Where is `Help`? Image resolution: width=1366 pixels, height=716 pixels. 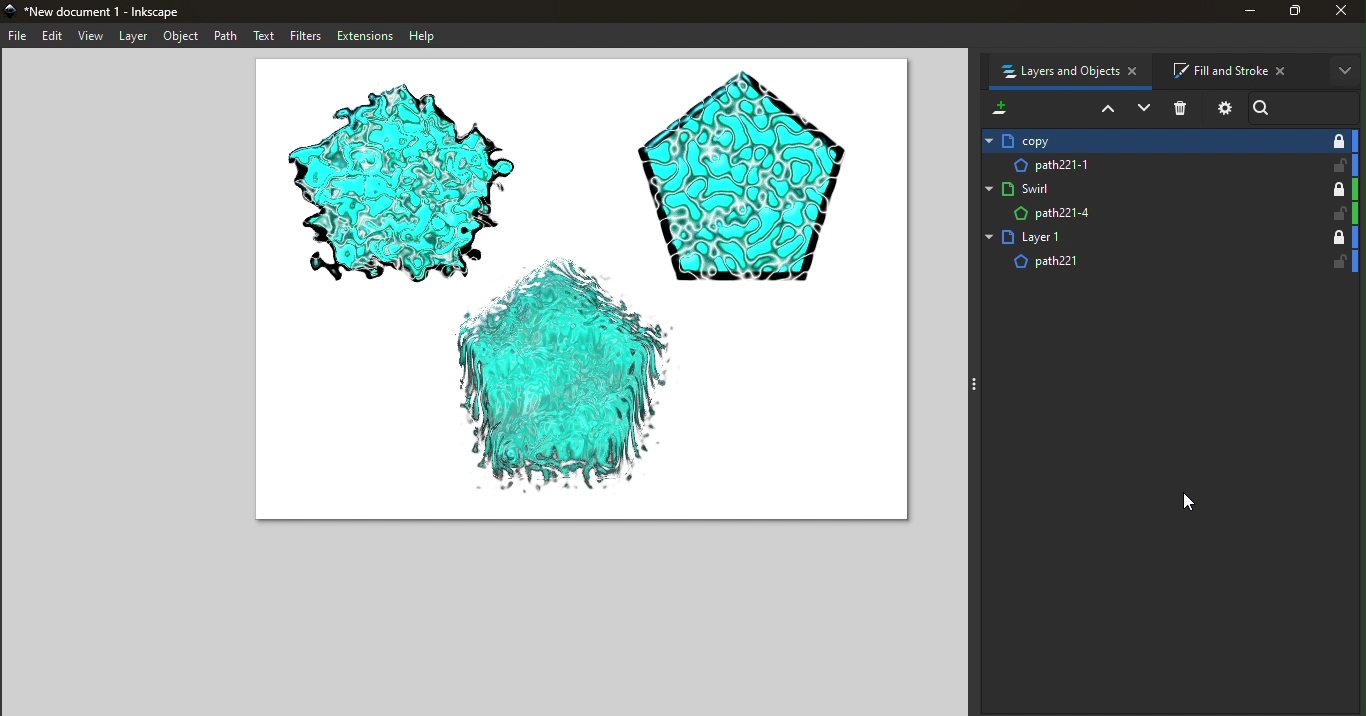
Help is located at coordinates (426, 36).